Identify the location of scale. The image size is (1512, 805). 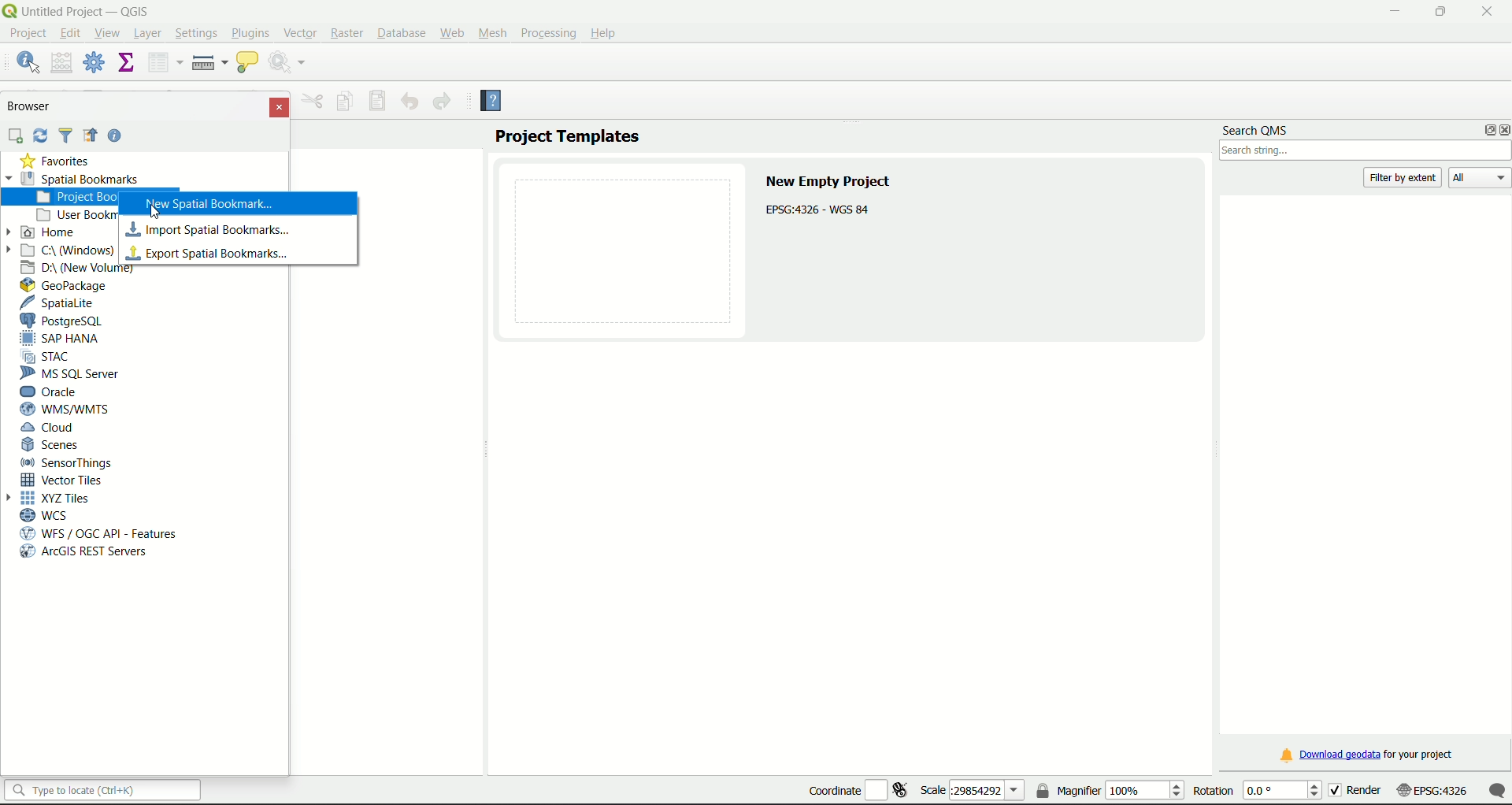
(1461, 792).